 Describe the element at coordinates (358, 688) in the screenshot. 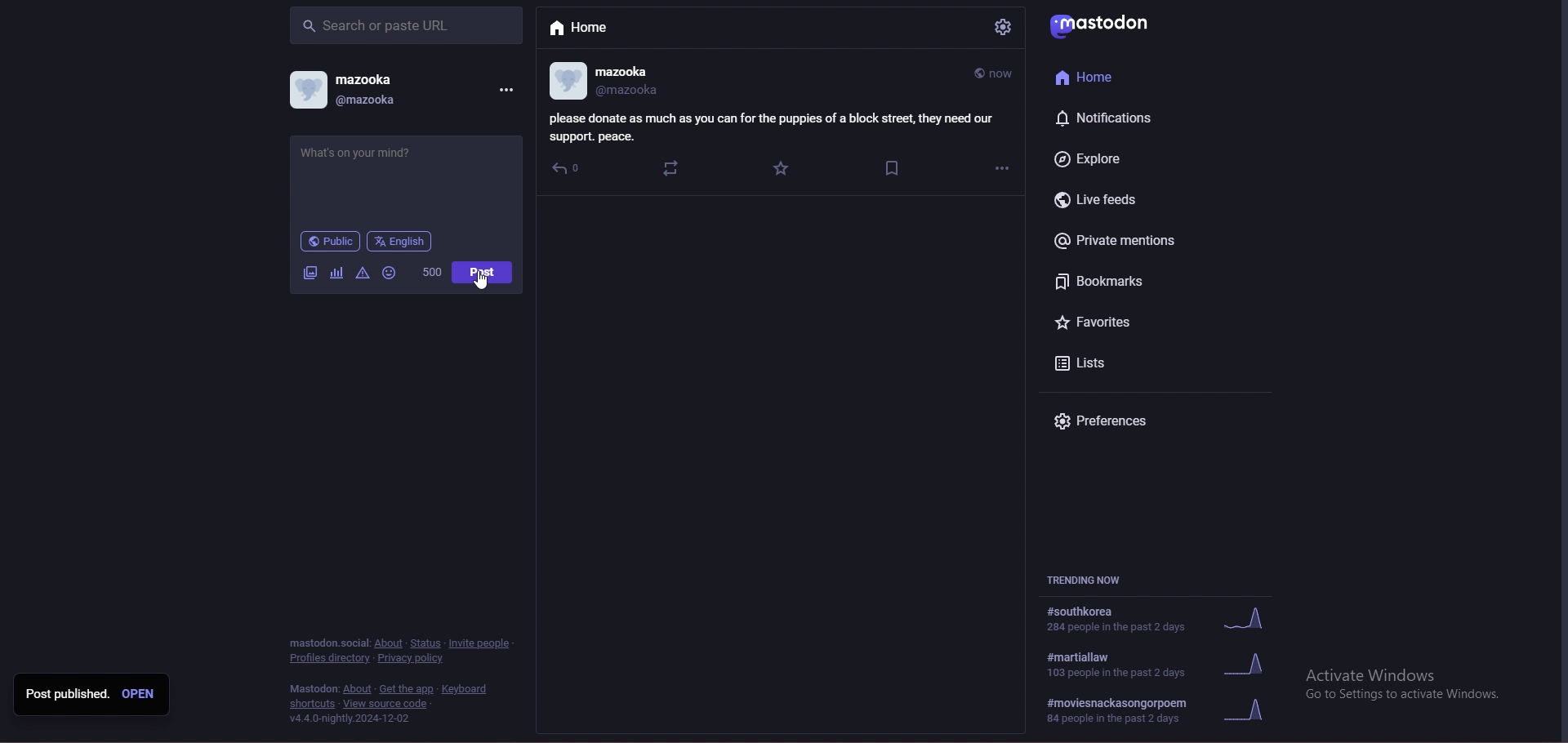

I see `about` at that location.